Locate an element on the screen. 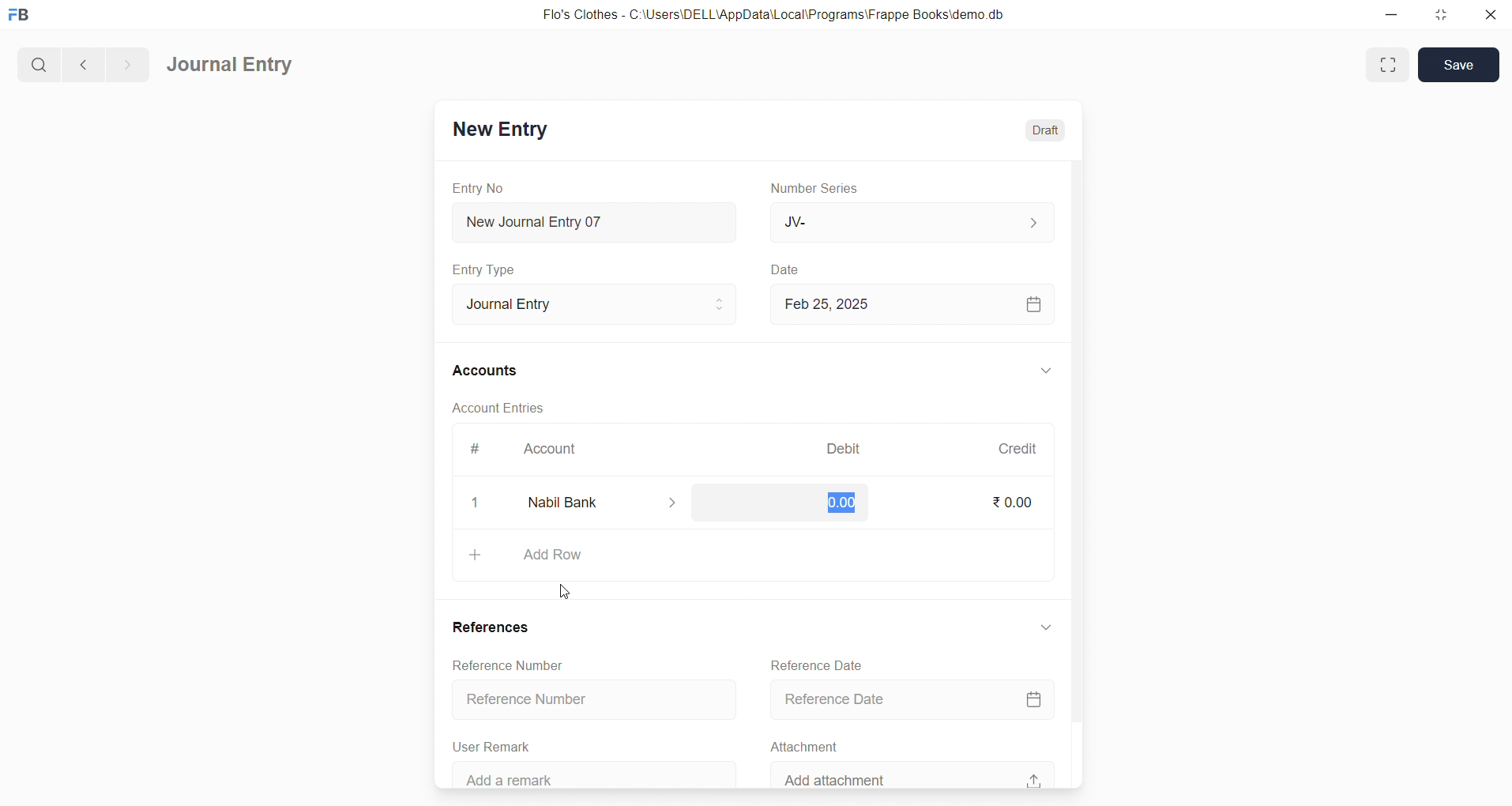  close is located at coordinates (1489, 16).